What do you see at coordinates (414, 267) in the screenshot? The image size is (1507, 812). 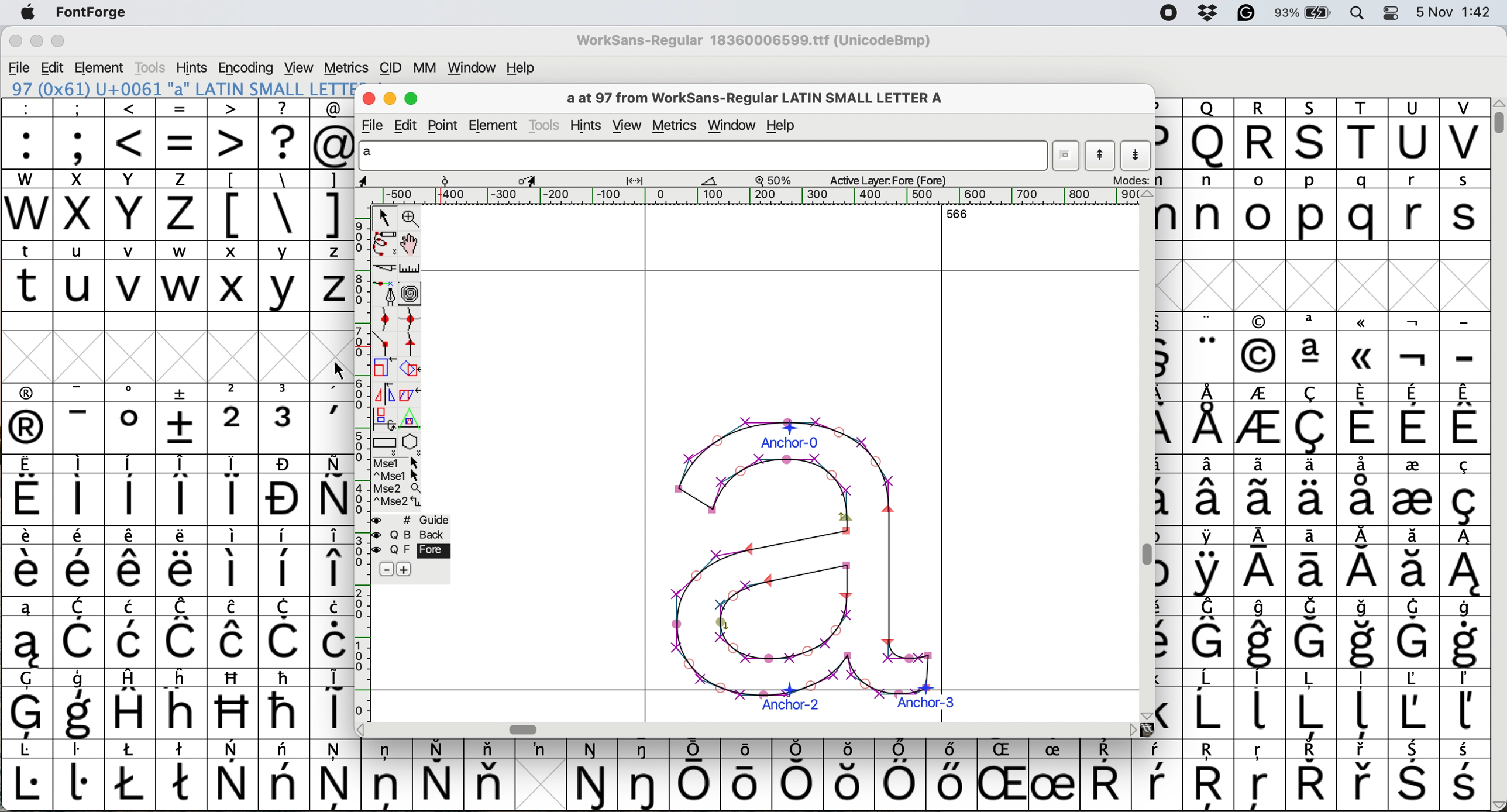 I see `measure distance` at bounding box center [414, 267].